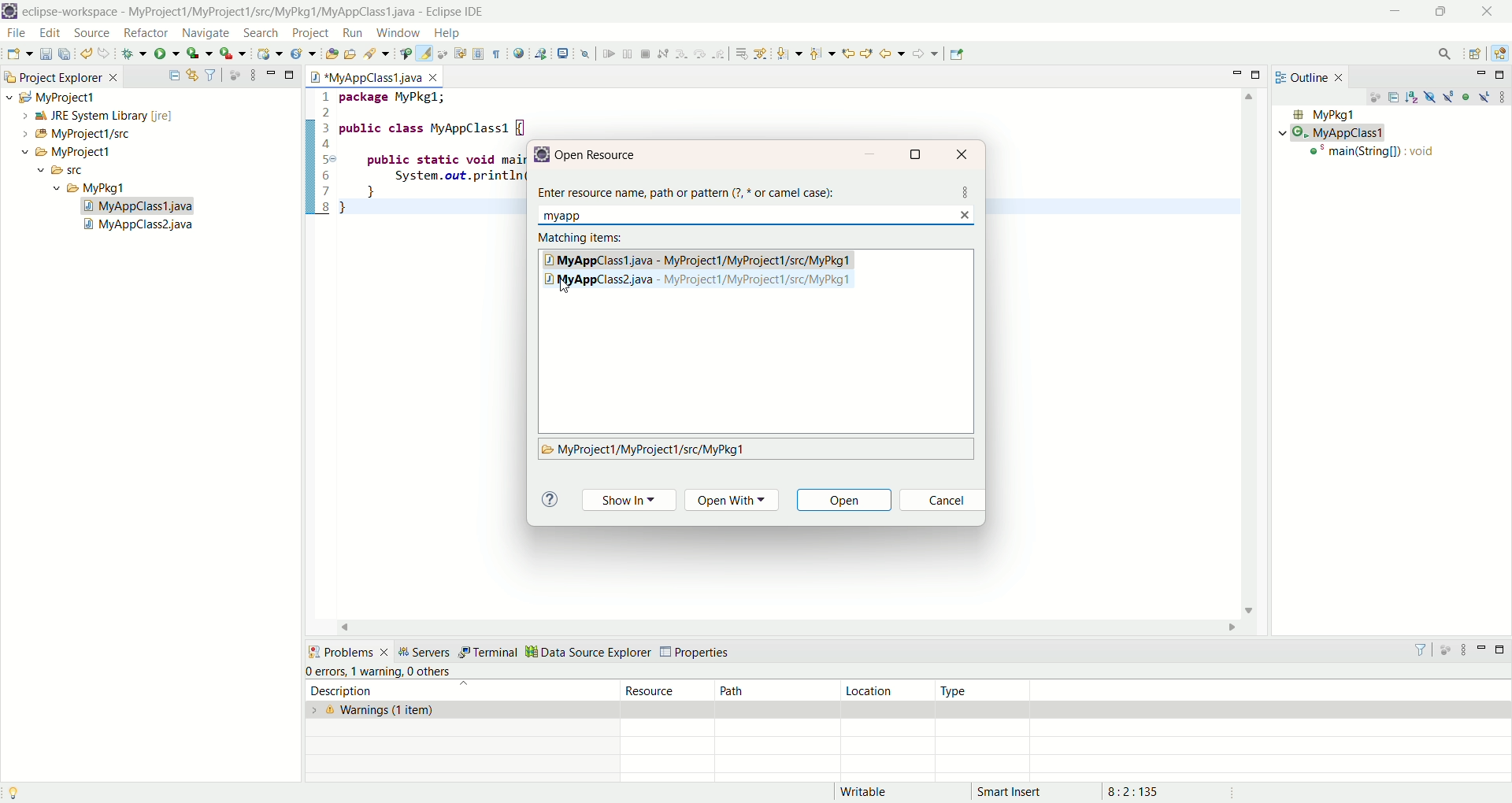  I want to click on step into, so click(681, 55).